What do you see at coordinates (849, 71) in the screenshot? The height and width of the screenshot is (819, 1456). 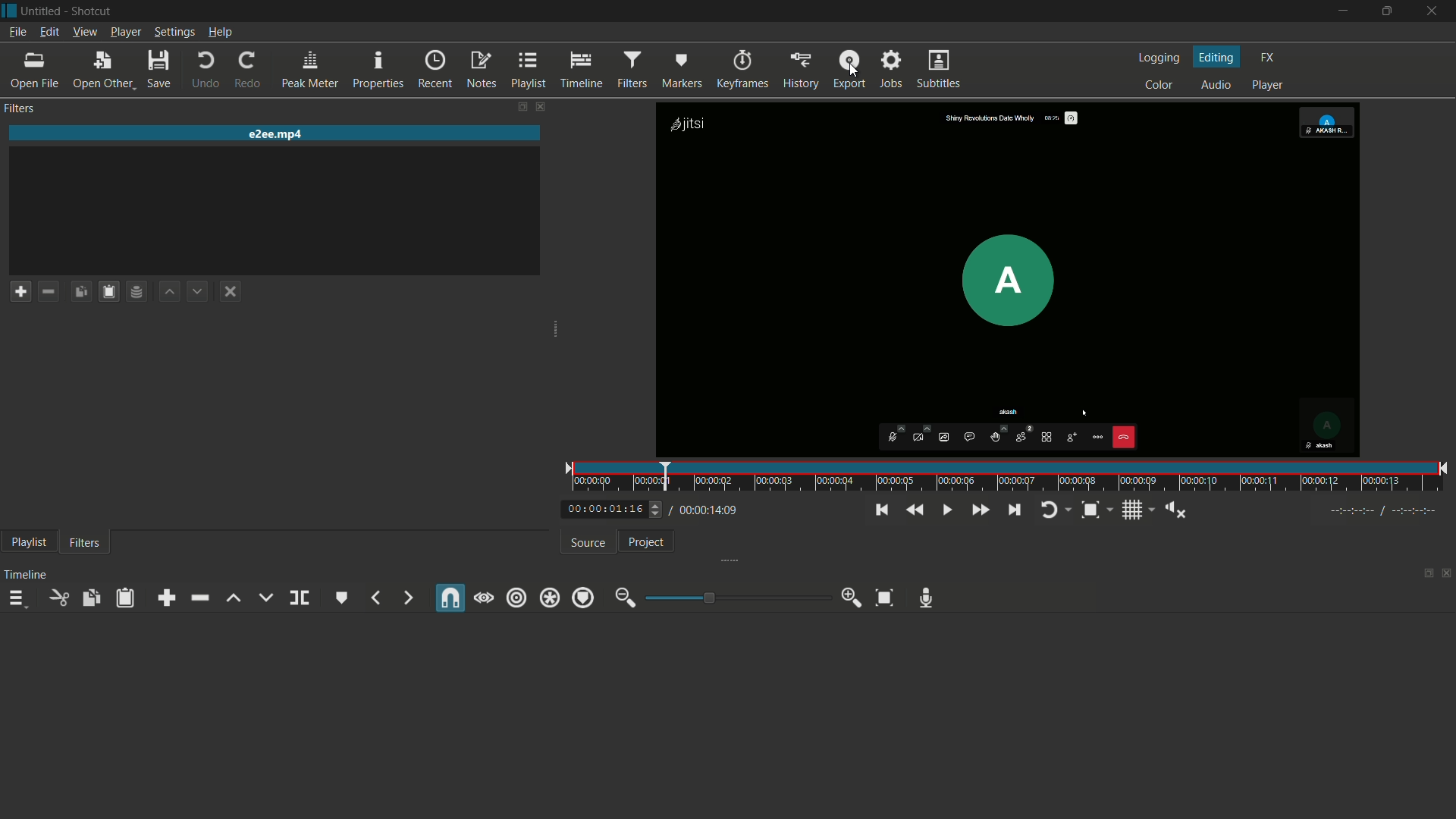 I see `export` at bounding box center [849, 71].